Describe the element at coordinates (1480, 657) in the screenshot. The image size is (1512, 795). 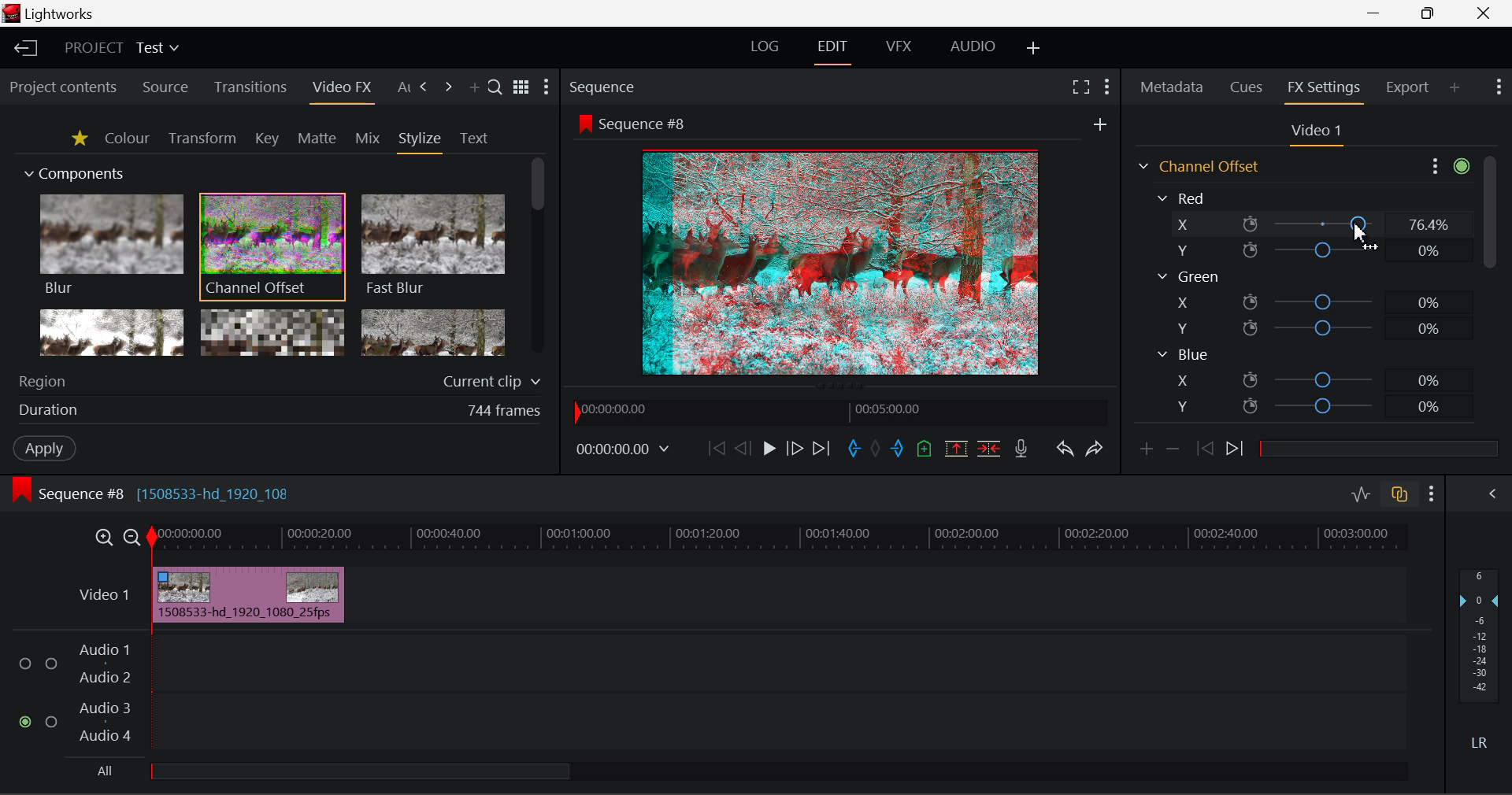
I see `Decibel Level` at that location.